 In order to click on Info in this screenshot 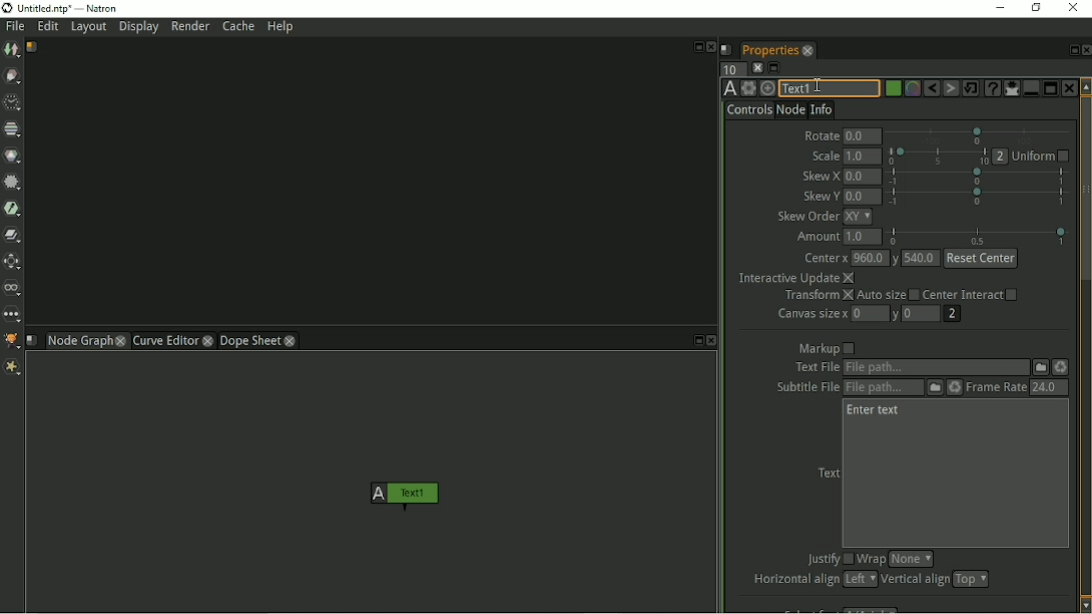, I will do `click(822, 108)`.